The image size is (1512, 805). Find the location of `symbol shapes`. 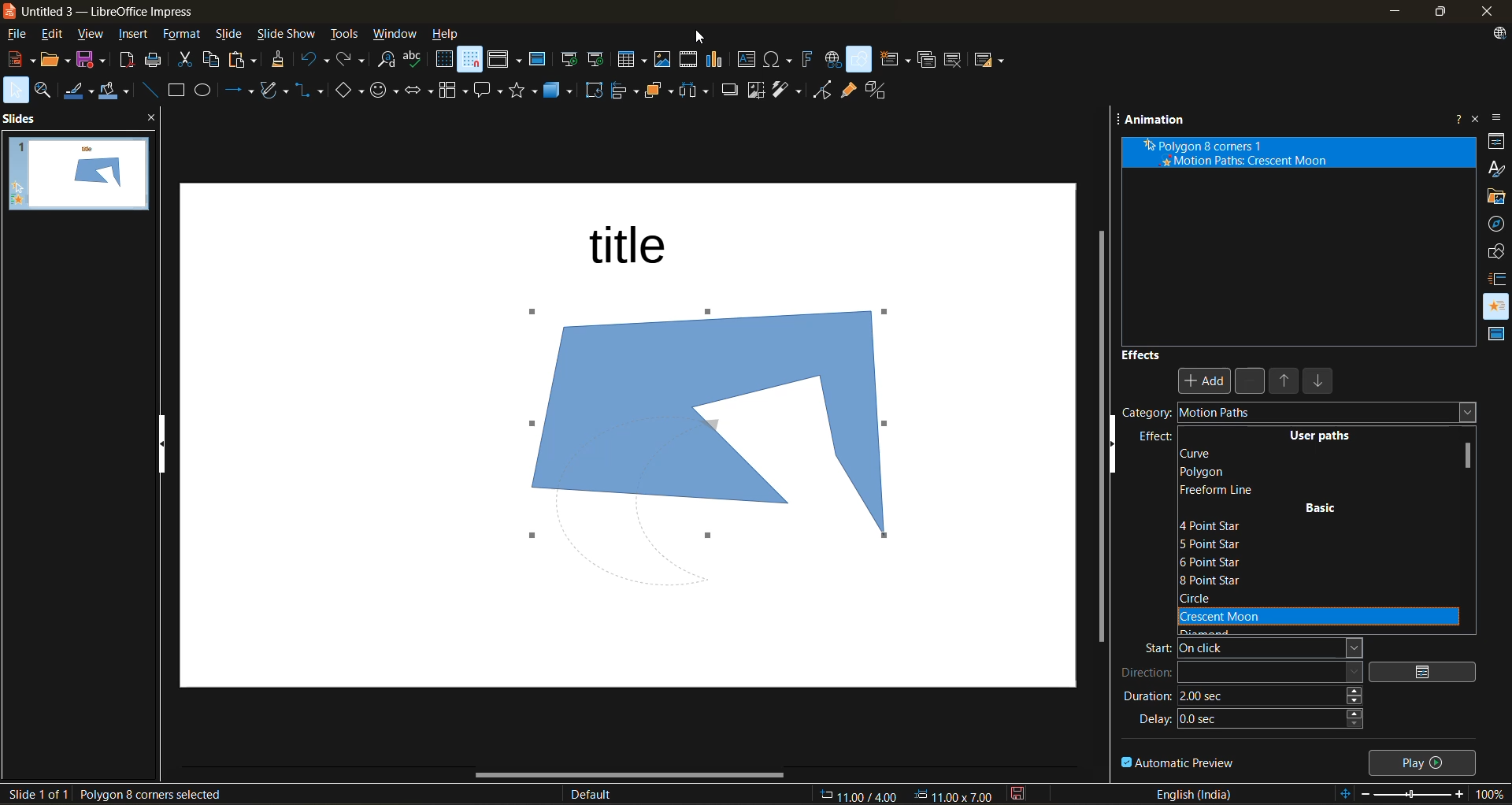

symbol shapes is located at coordinates (385, 93).